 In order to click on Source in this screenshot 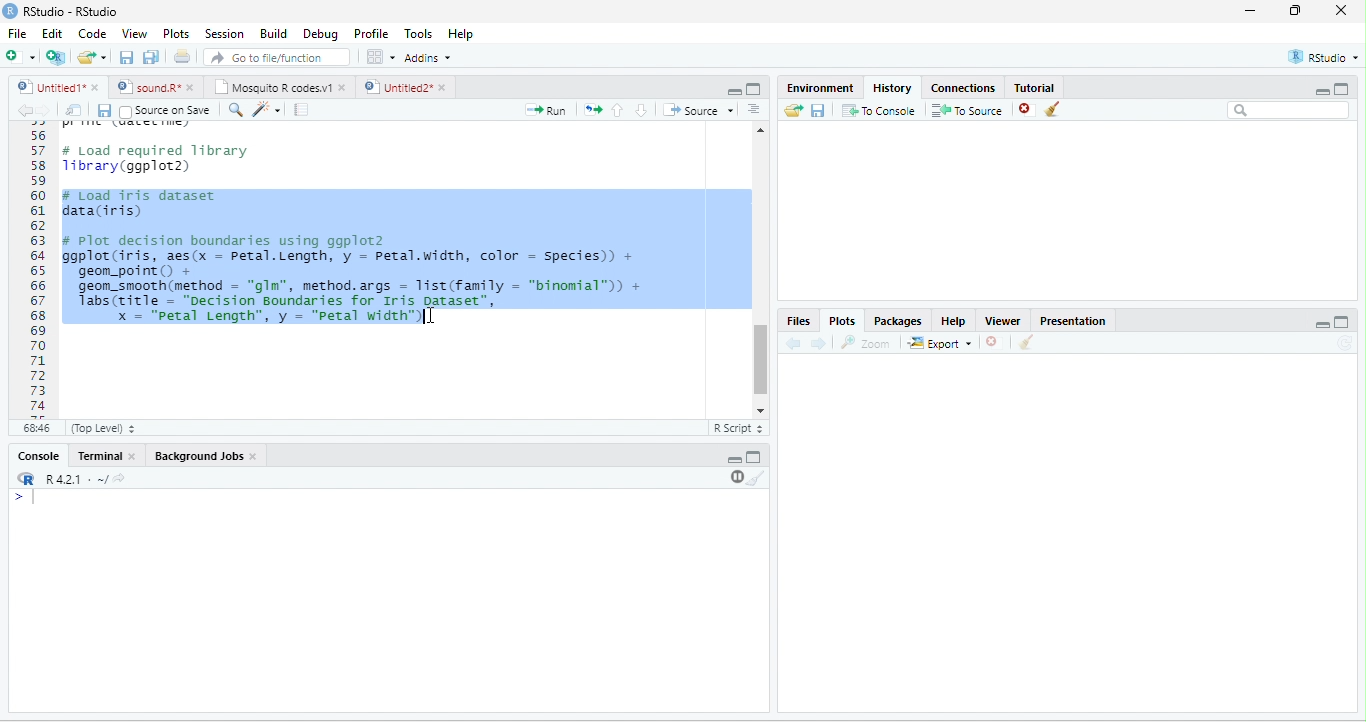, I will do `click(698, 110)`.